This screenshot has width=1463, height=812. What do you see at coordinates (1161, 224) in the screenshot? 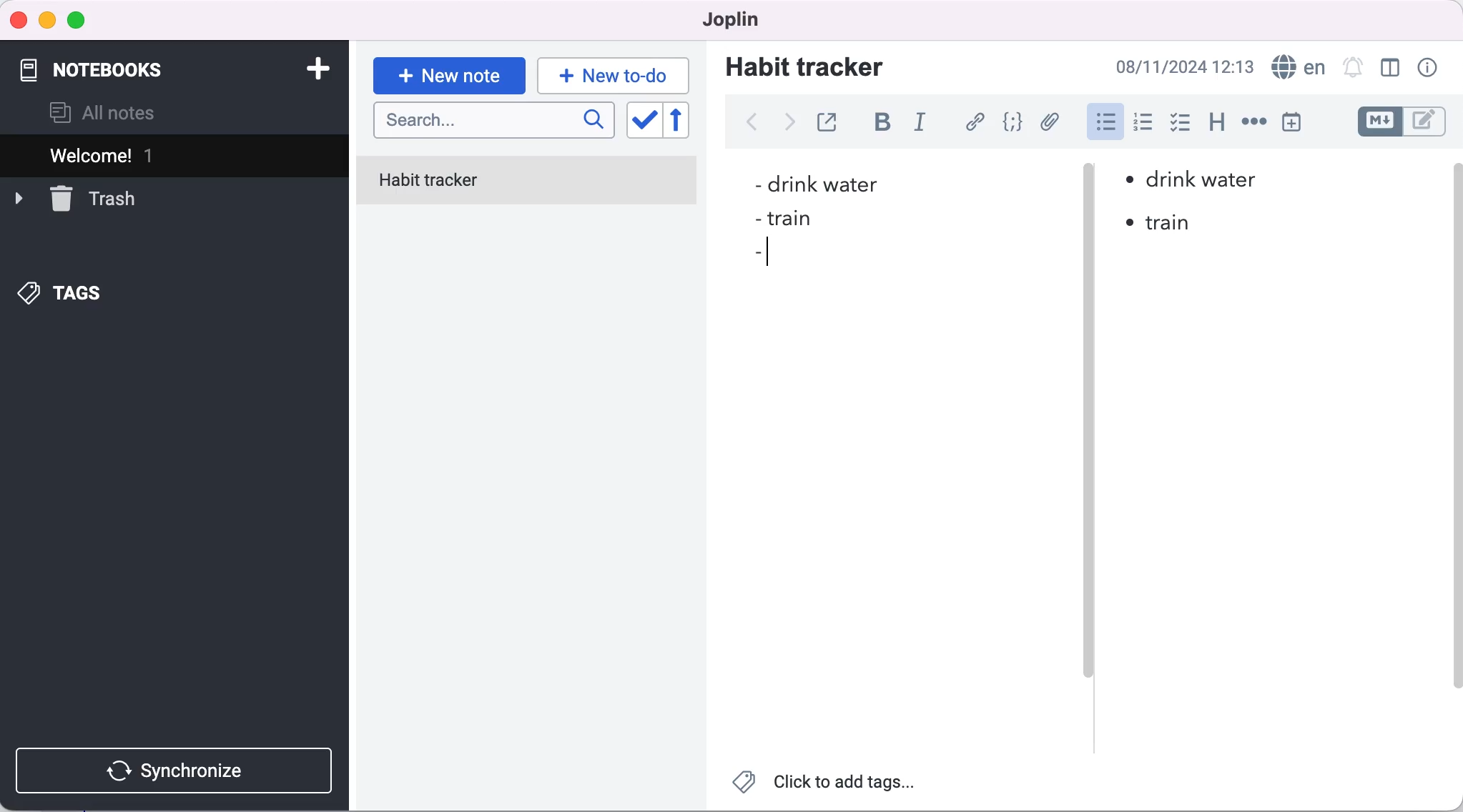
I see `• train` at bounding box center [1161, 224].